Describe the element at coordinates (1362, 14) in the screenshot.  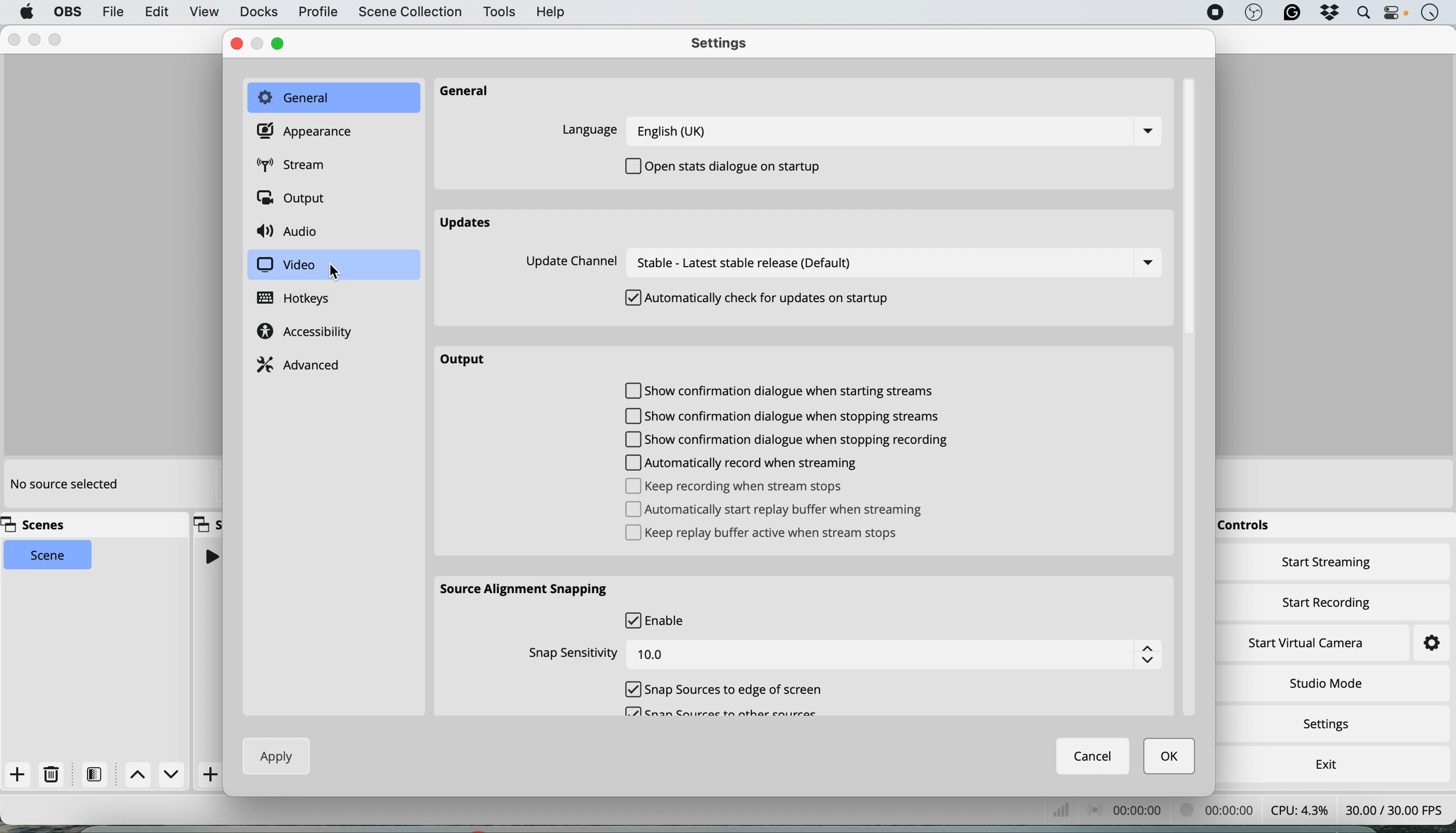
I see `spotlight search` at that location.